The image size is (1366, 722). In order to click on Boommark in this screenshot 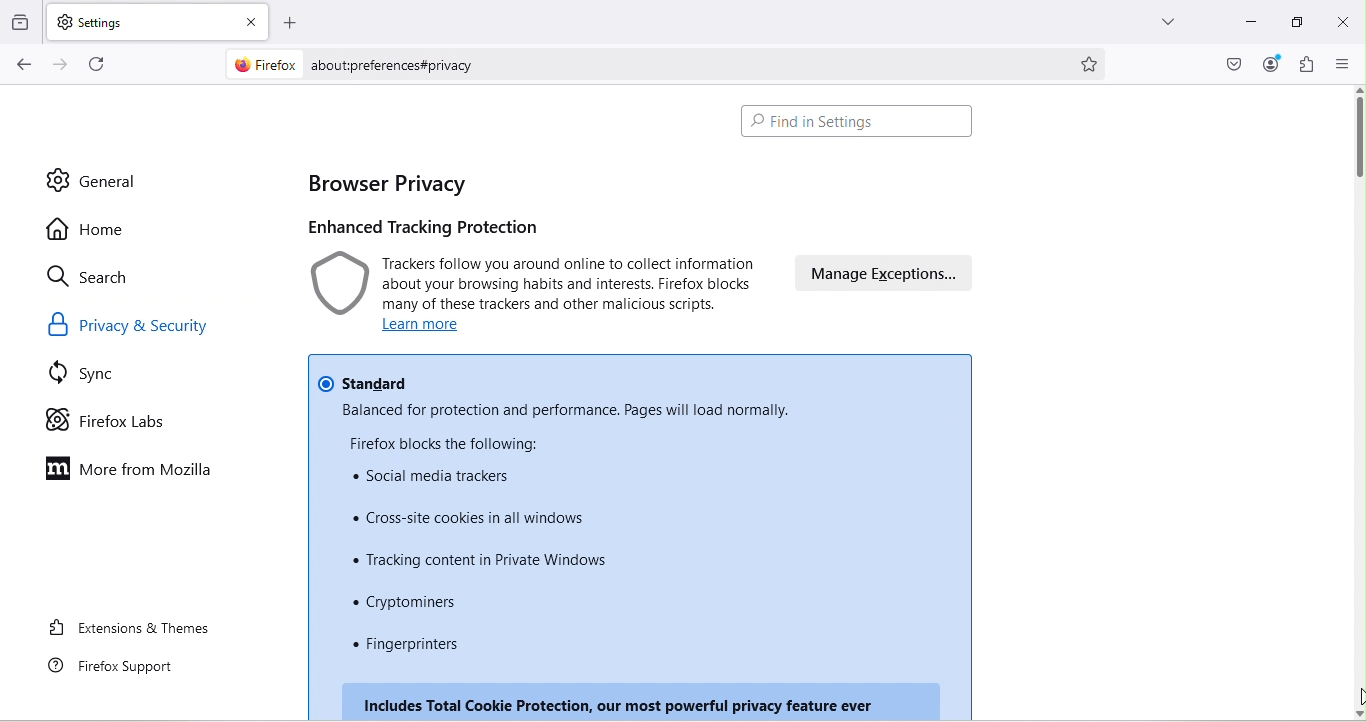, I will do `click(1096, 62)`.